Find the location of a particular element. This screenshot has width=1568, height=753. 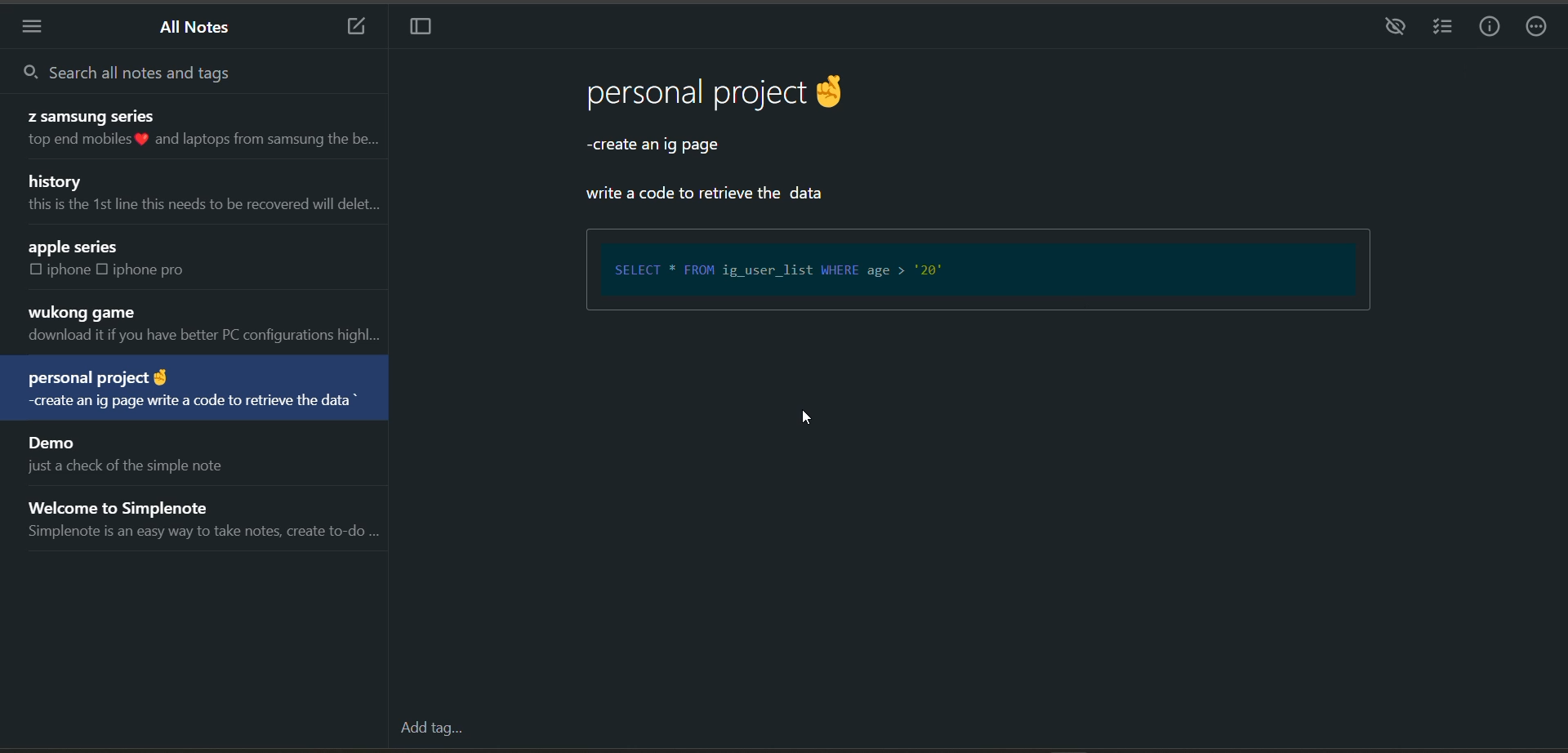

preview is located at coordinates (1392, 28).